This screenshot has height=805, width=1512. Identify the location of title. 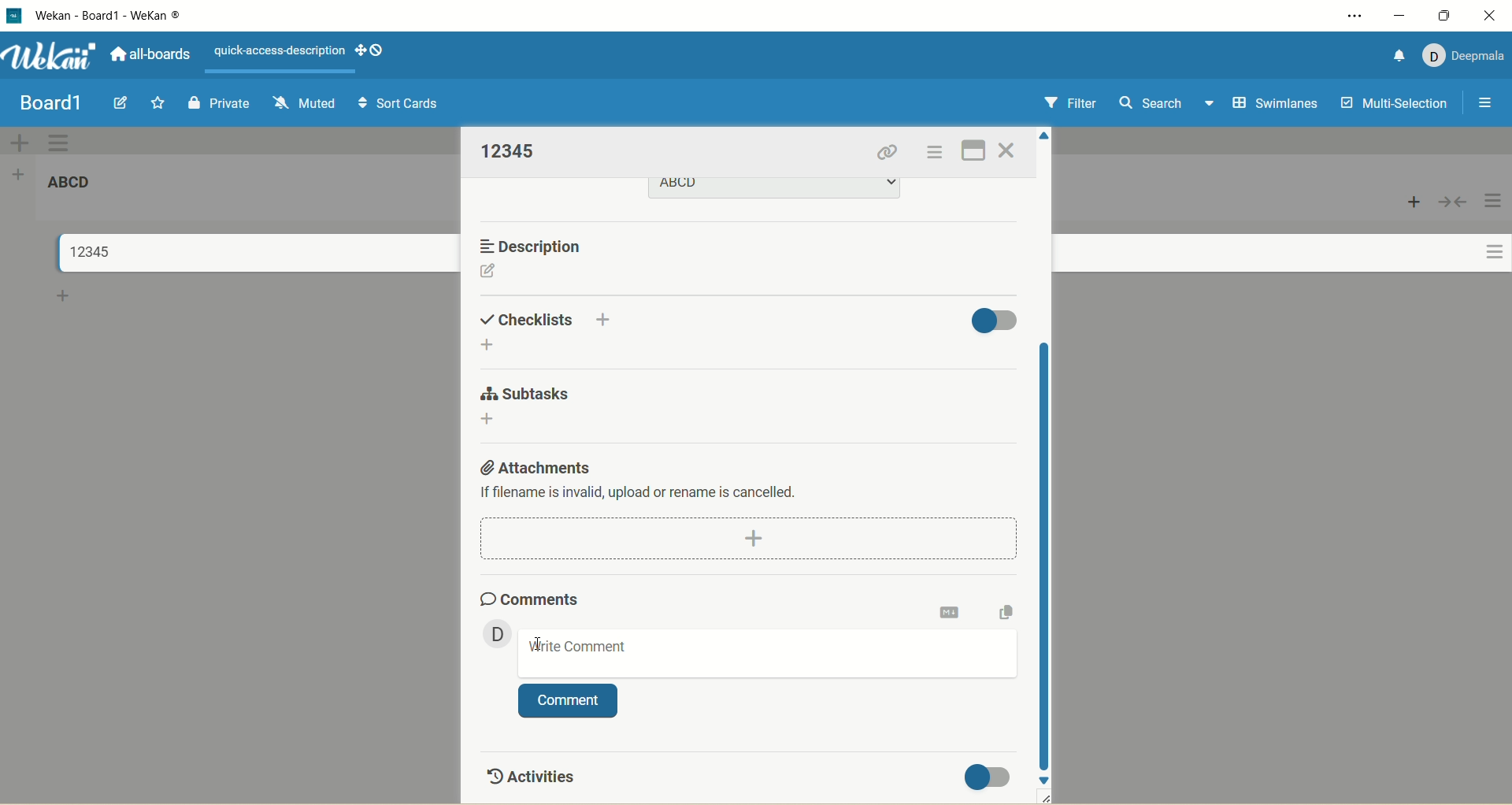
(511, 150).